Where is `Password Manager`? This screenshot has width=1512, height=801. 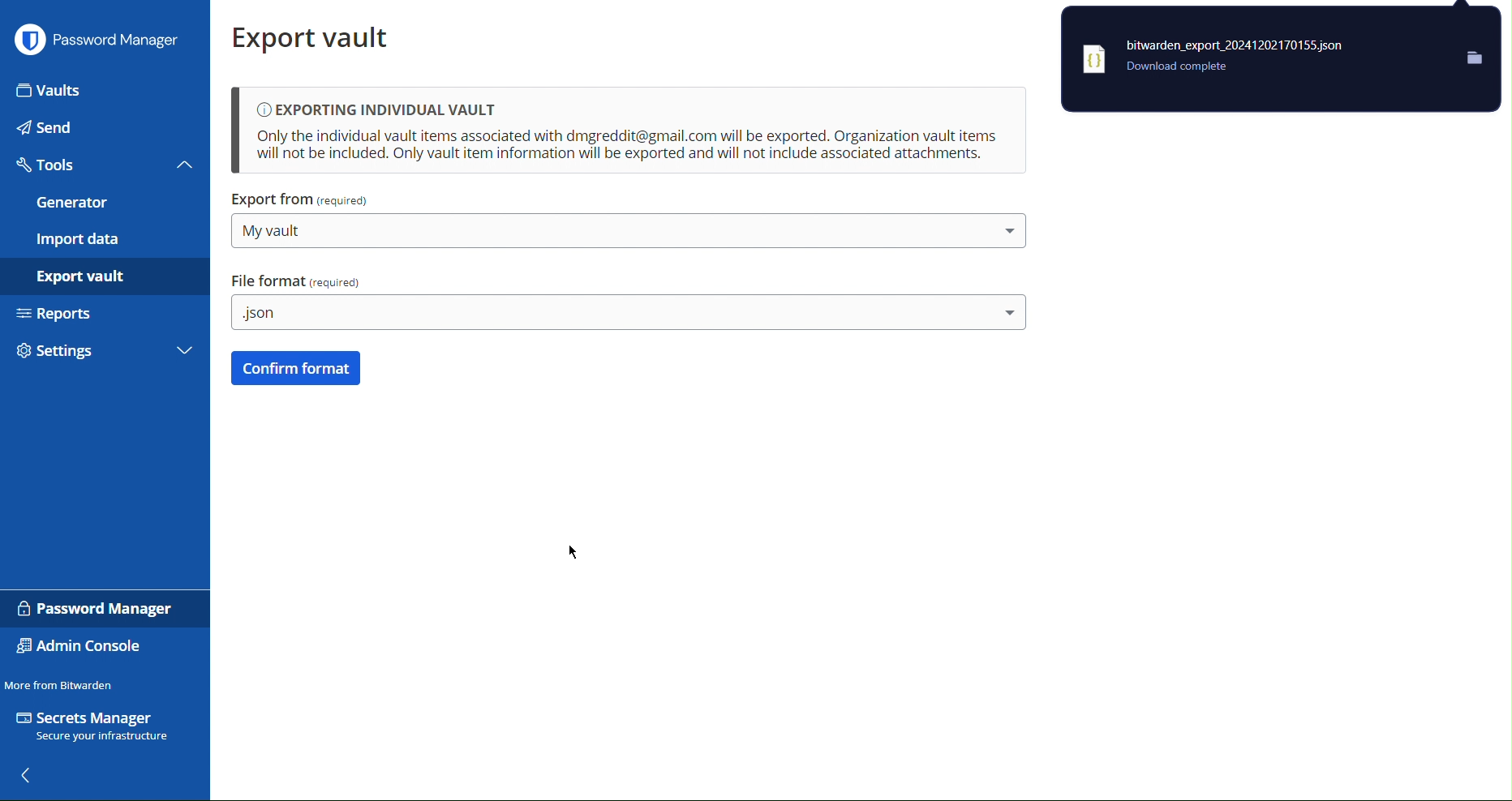 Password Manager is located at coordinates (101, 43).